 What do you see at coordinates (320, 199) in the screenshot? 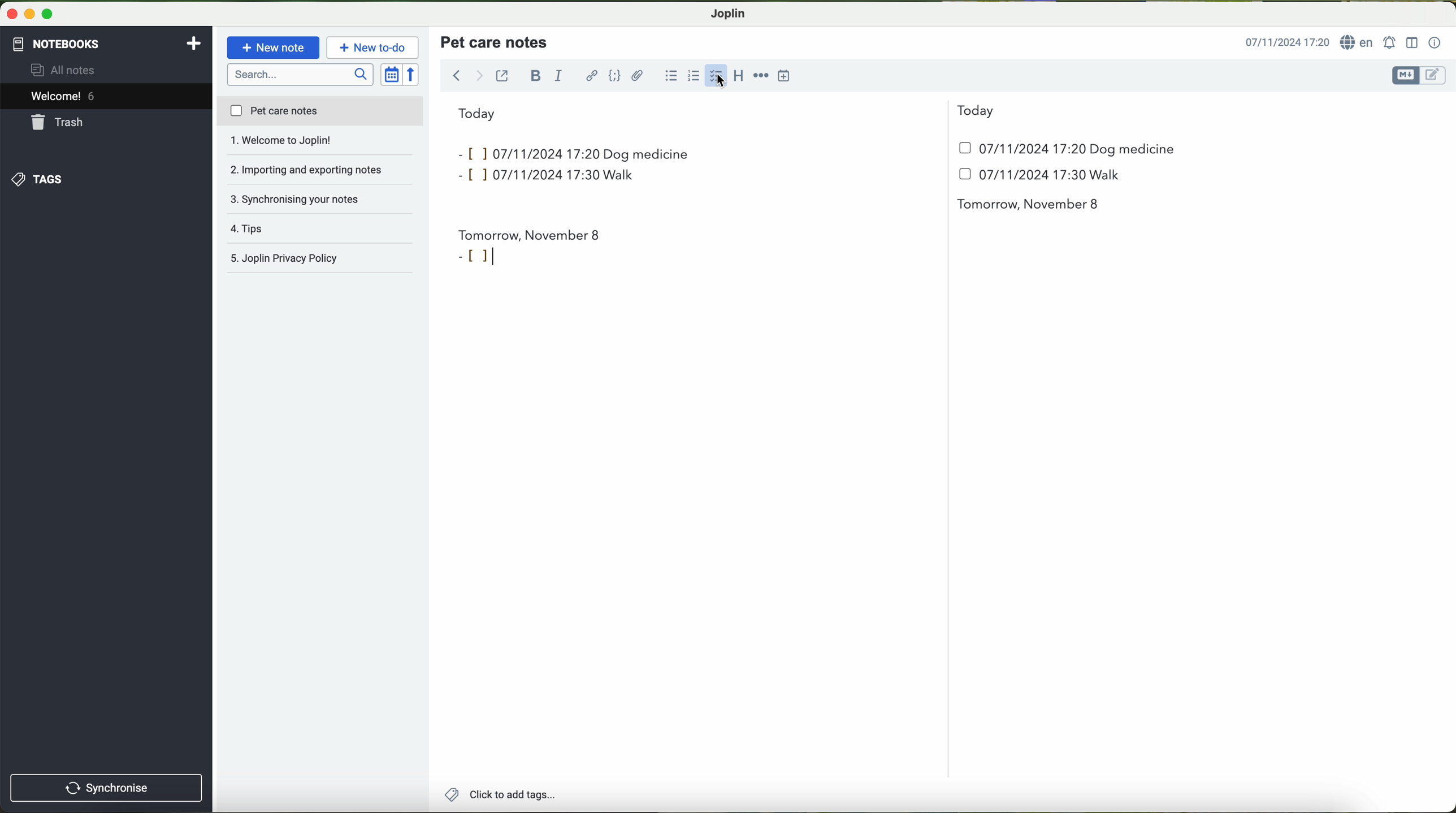
I see `tips` at bounding box center [320, 199].